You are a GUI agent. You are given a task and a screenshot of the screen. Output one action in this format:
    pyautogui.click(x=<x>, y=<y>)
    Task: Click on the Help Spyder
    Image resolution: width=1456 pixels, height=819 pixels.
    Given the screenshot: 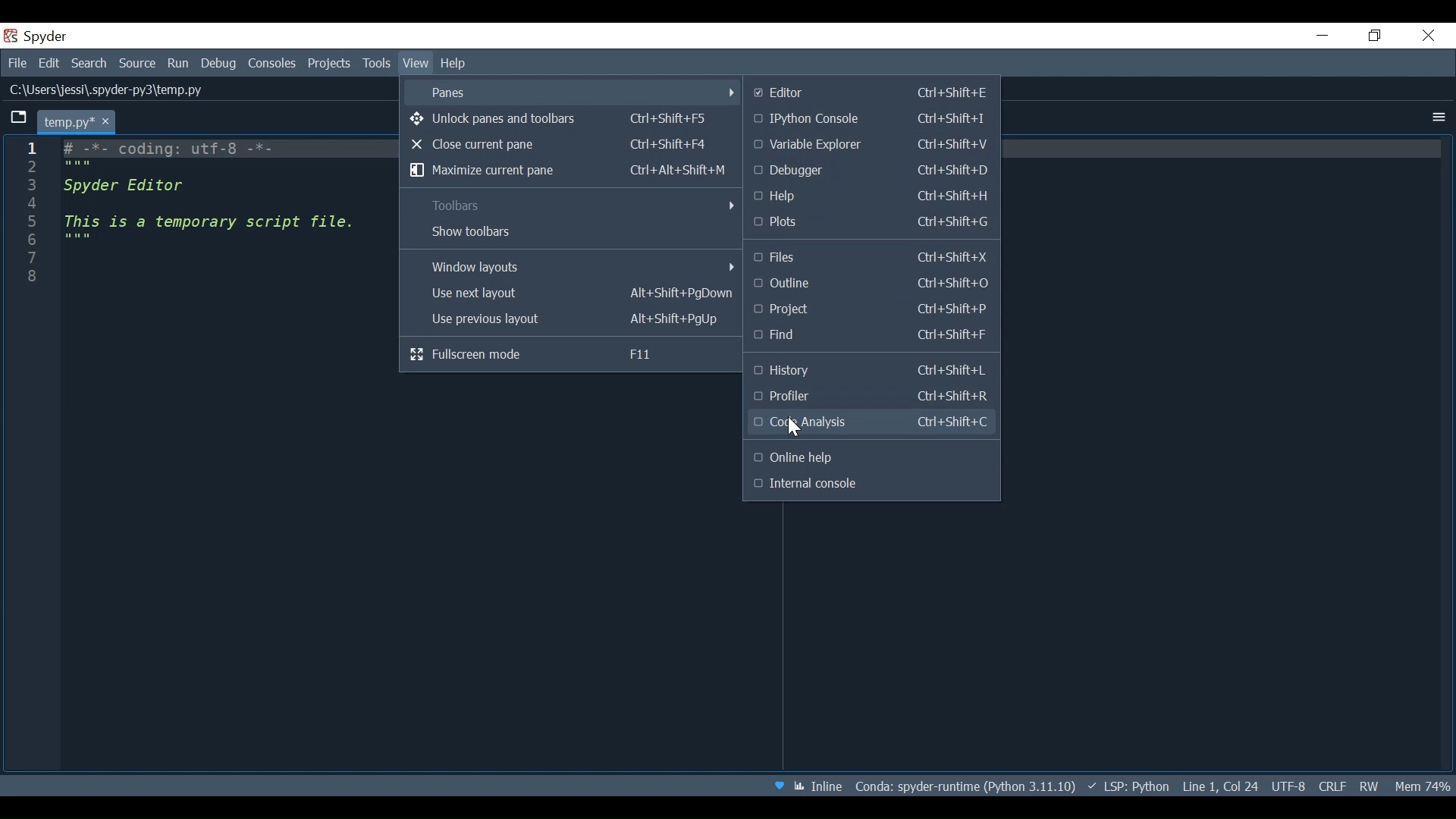 What is the action you would take?
    pyautogui.click(x=780, y=786)
    